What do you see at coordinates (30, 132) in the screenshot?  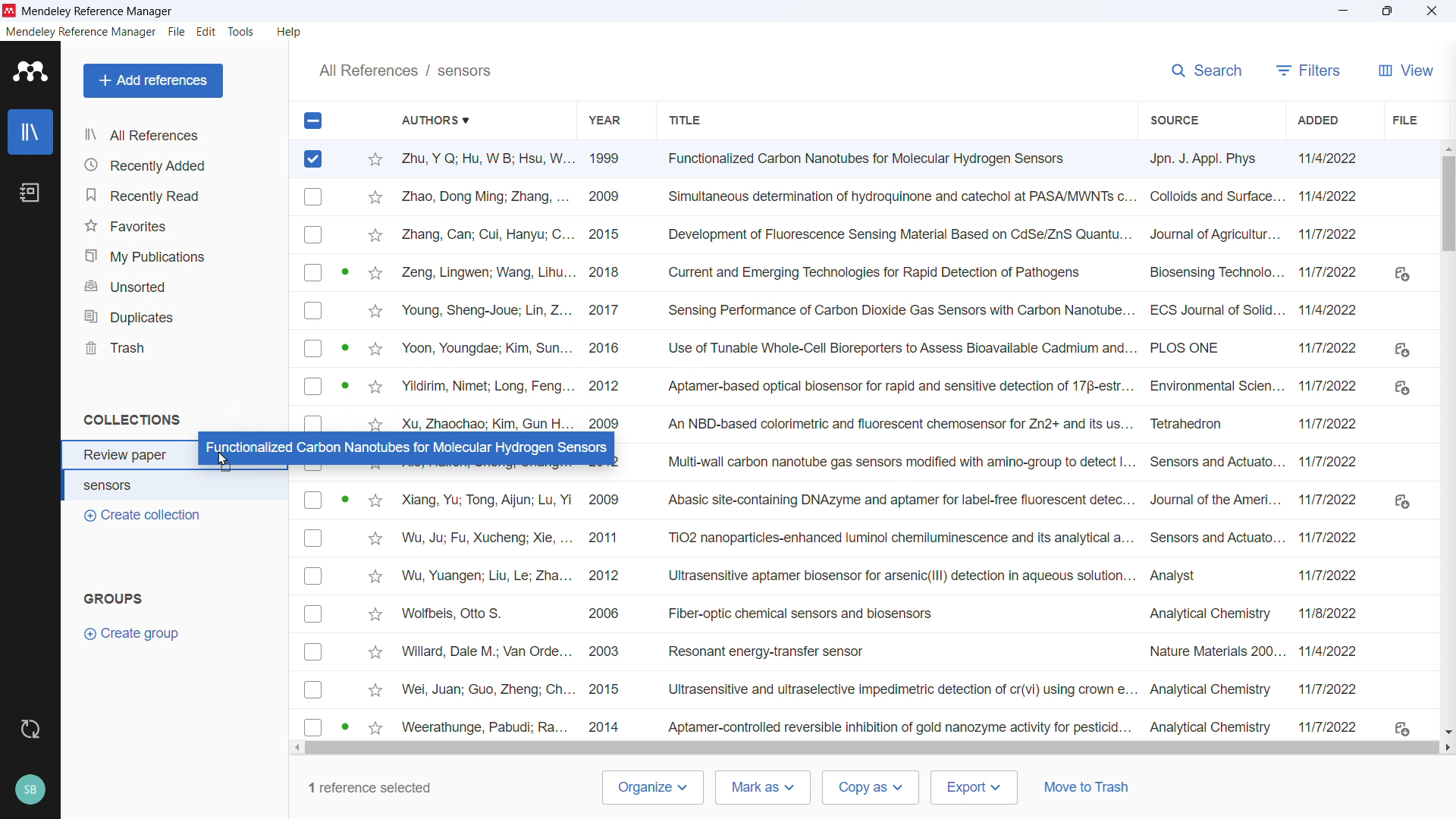 I see `Library ` at bounding box center [30, 132].